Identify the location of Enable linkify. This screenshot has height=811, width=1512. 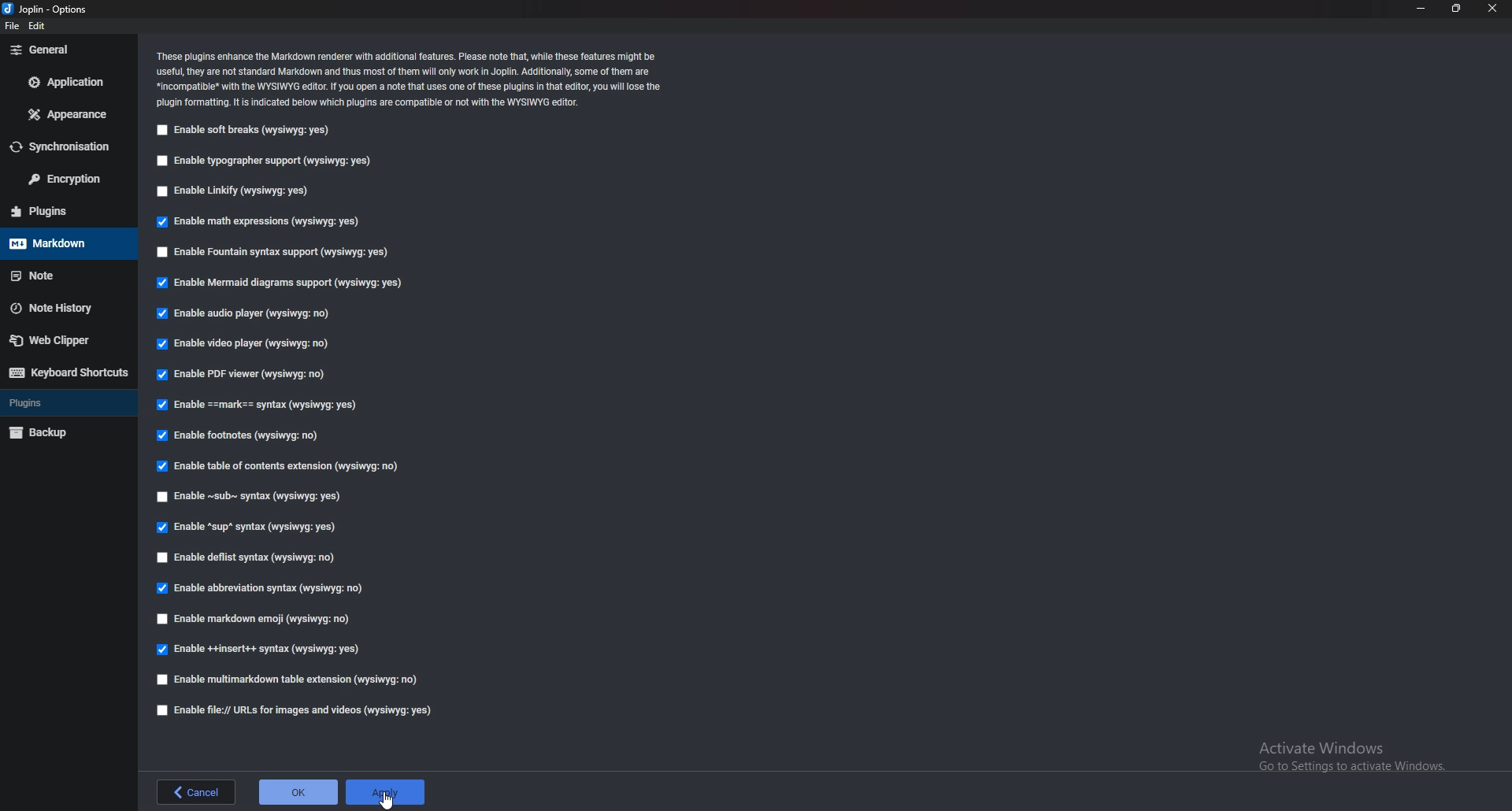
(235, 192).